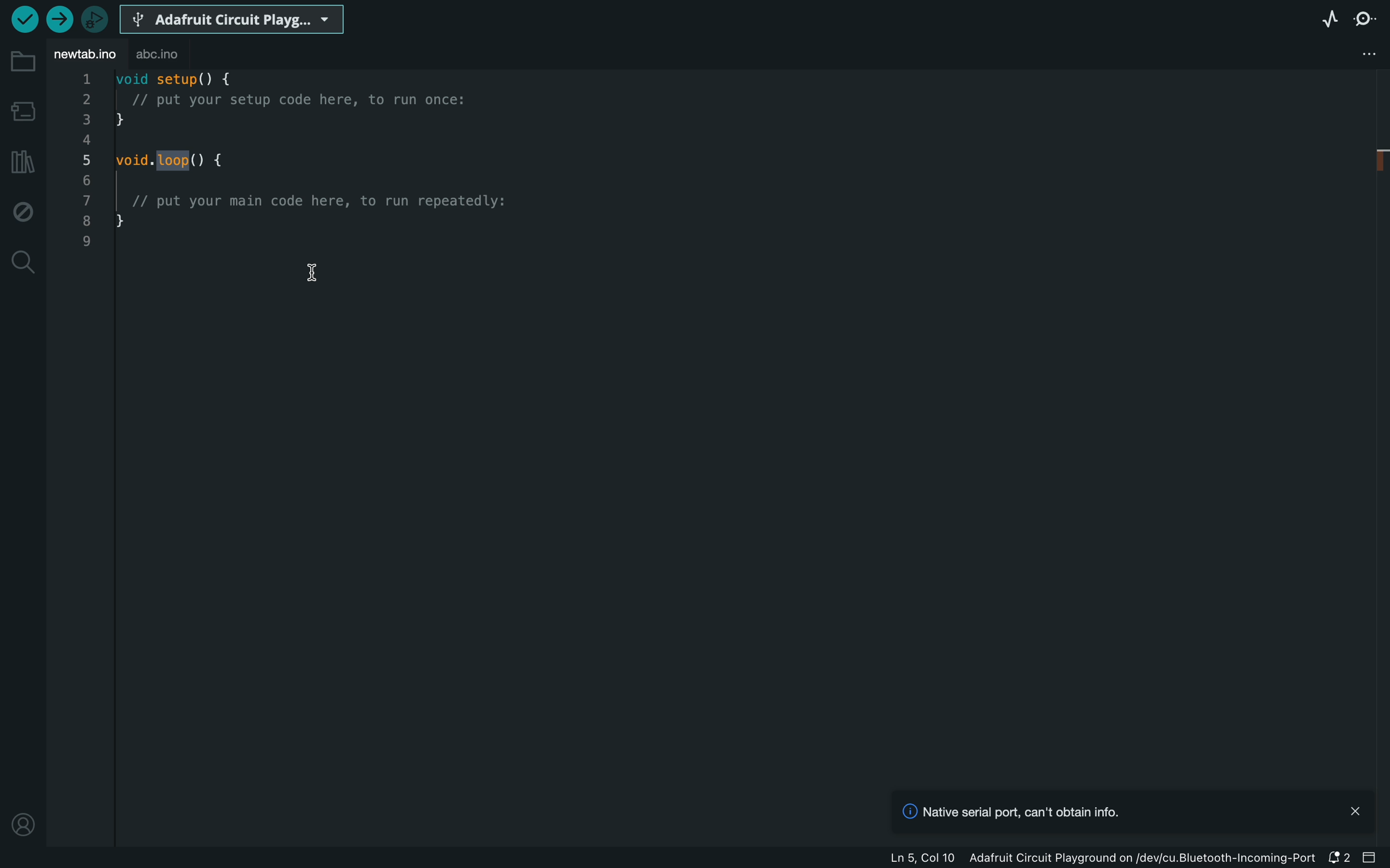  Describe the element at coordinates (1005, 811) in the screenshot. I see `Native serial port, can't obtain info.` at that location.